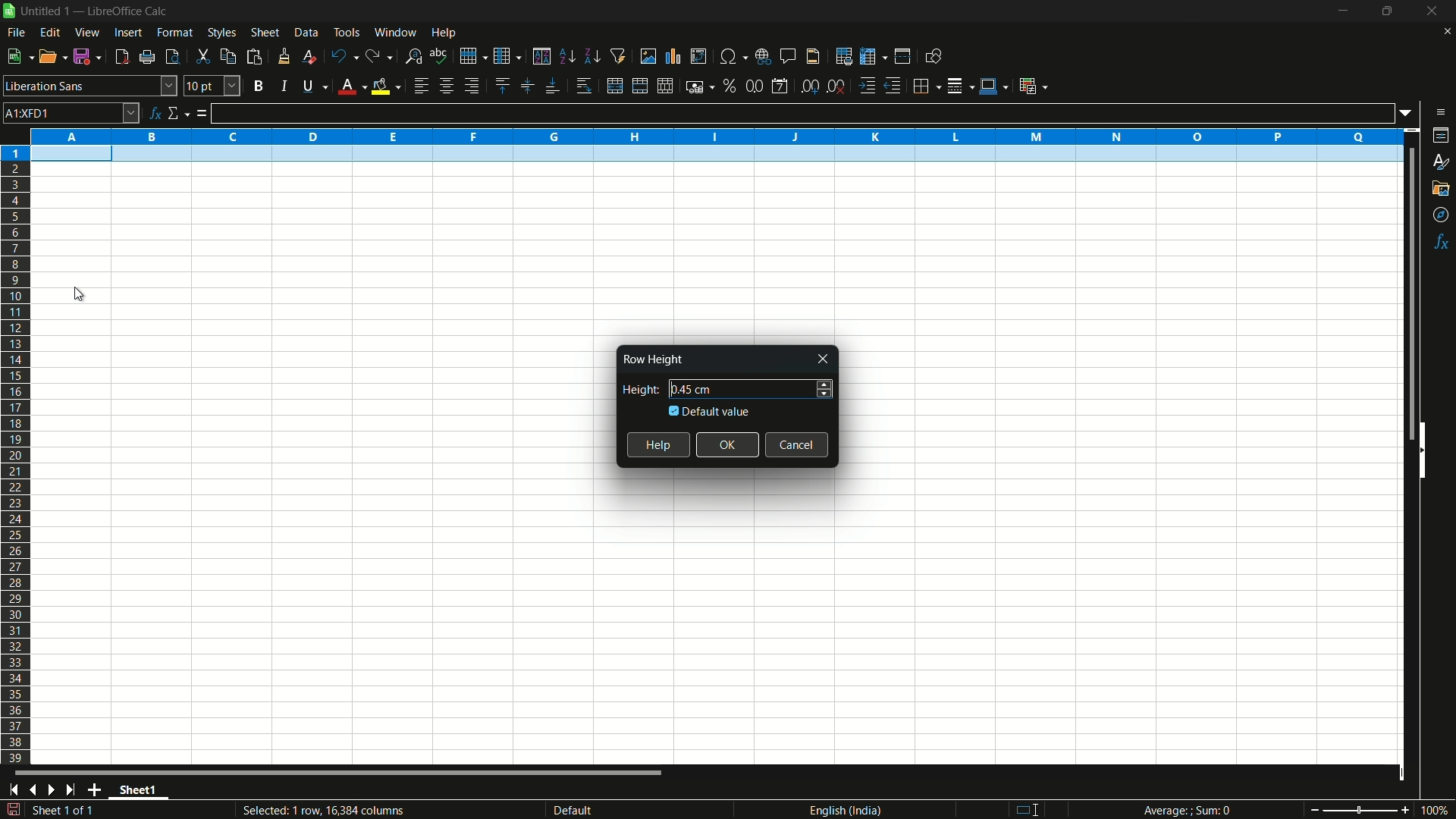 This screenshot has height=819, width=1456. What do you see at coordinates (470, 86) in the screenshot?
I see `align right` at bounding box center [470, 86].